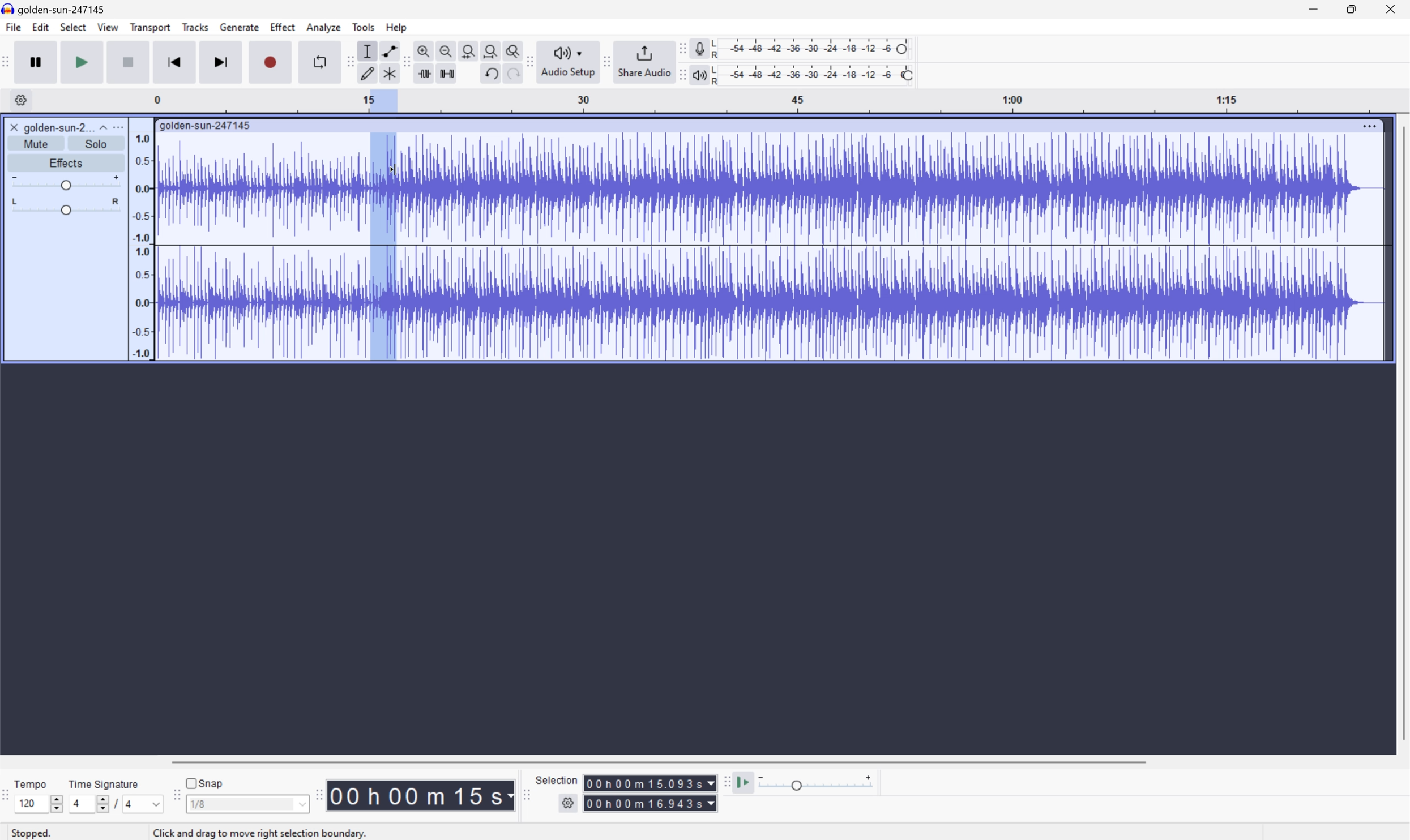 The image size is (1410, 840). Describe the element at coordinates (75, 804) in the screenshot. I see `4` at that location.